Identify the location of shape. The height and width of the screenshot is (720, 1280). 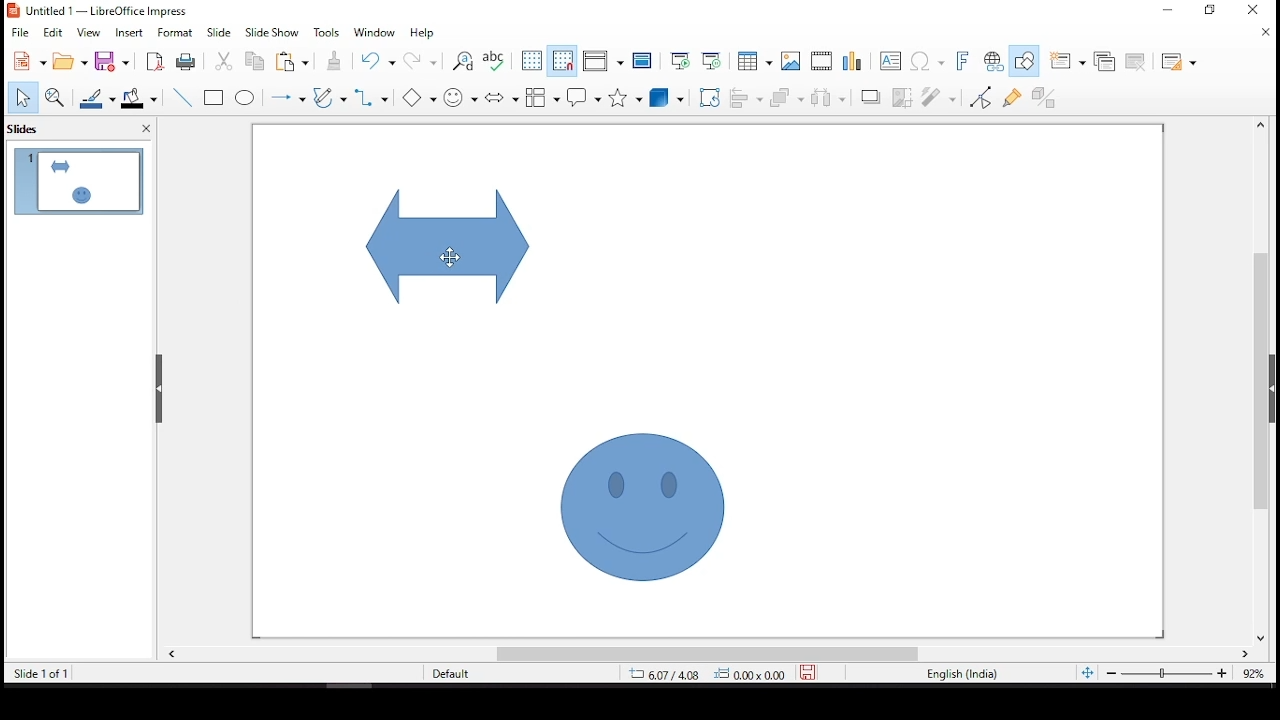
(643, 504).